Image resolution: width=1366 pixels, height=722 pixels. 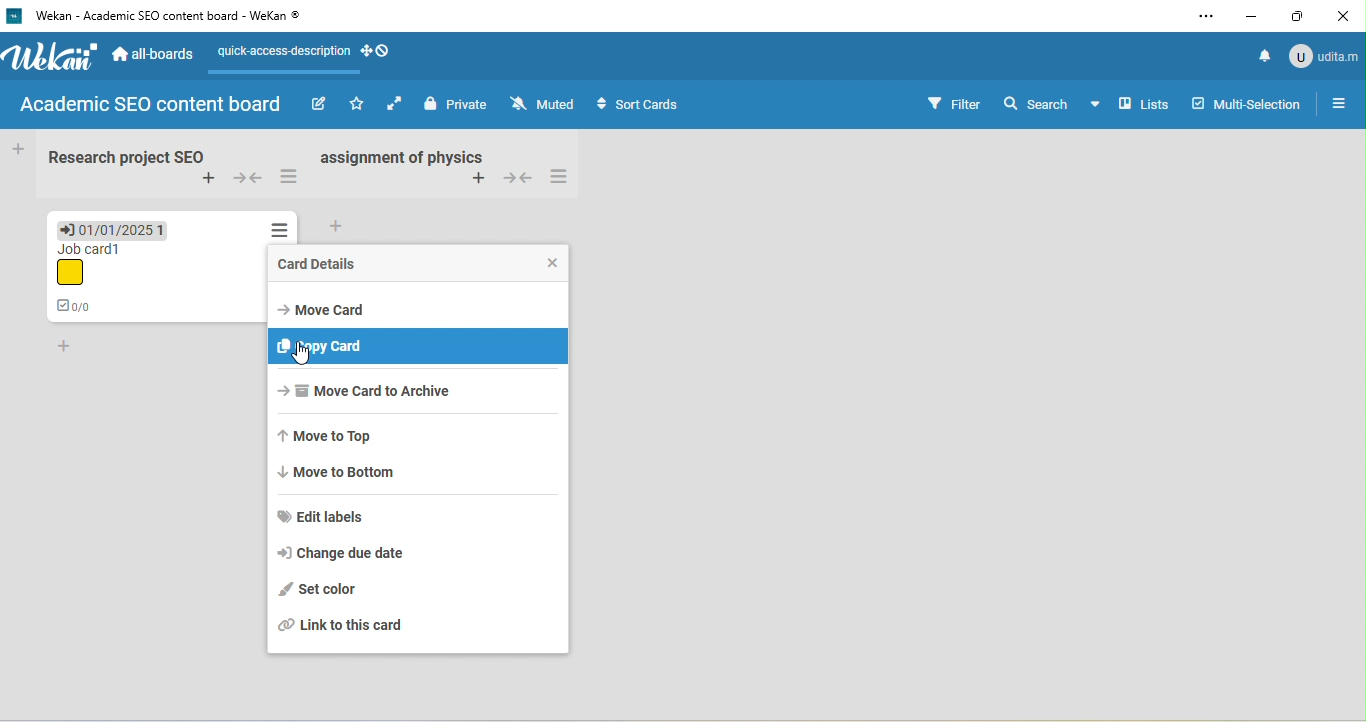 I want to click on add swimlane, so click(x=211, y=181).